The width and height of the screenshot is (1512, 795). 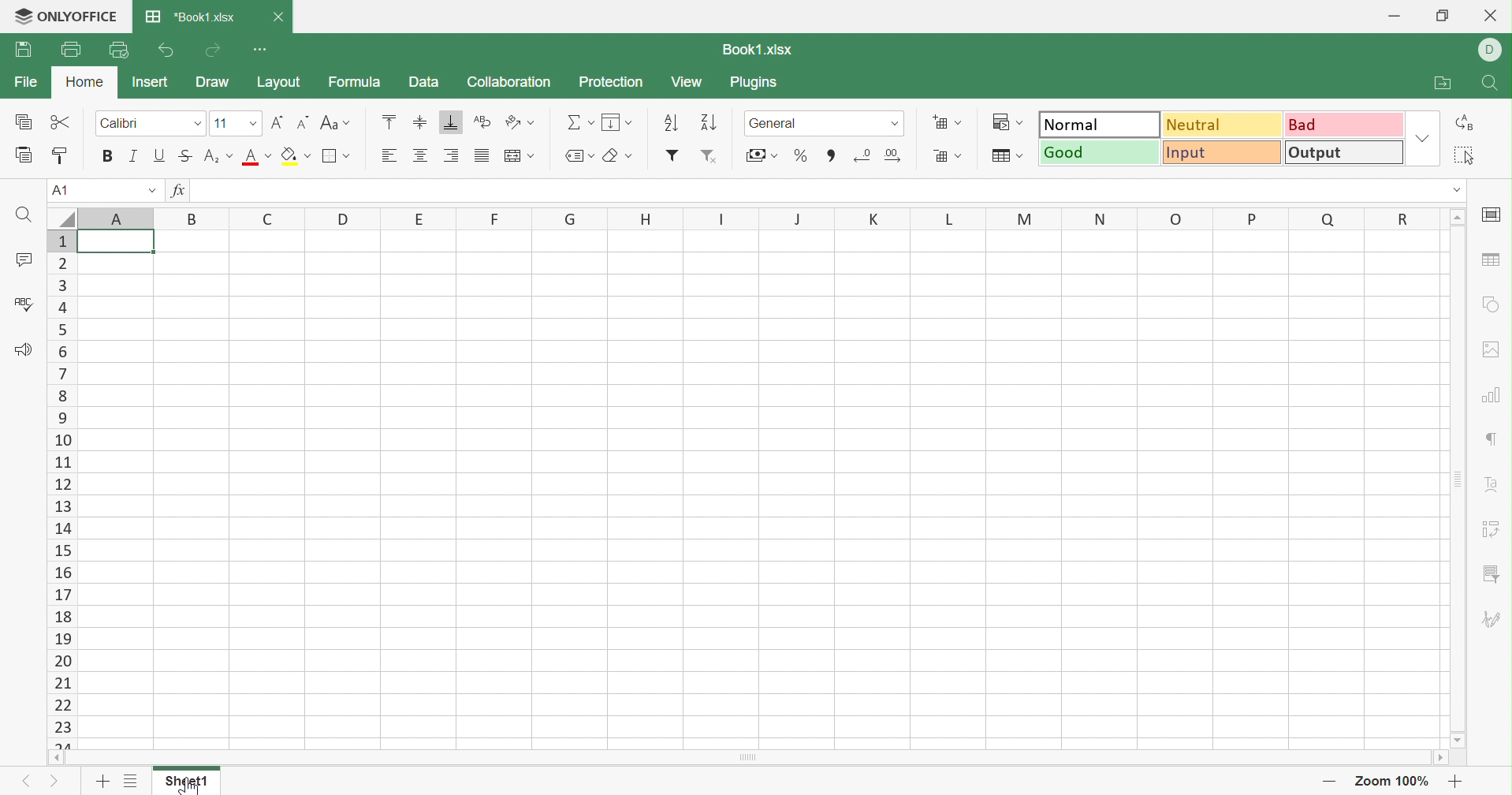 I want to click on Scroll Down, so click(x=1454, y=741).